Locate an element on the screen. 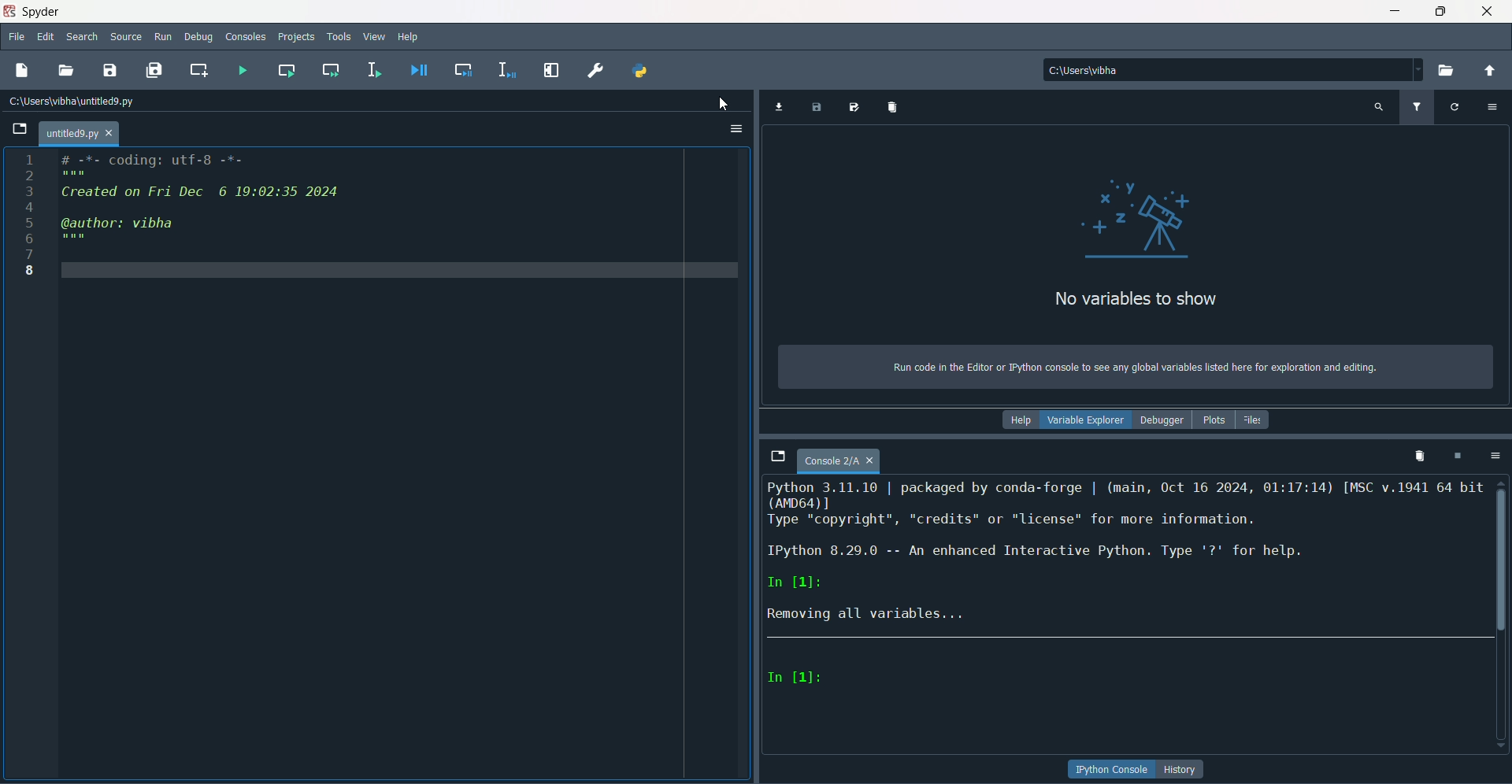 This screenshot has height=784, width=1512. character is located at coordinates (796, 678).